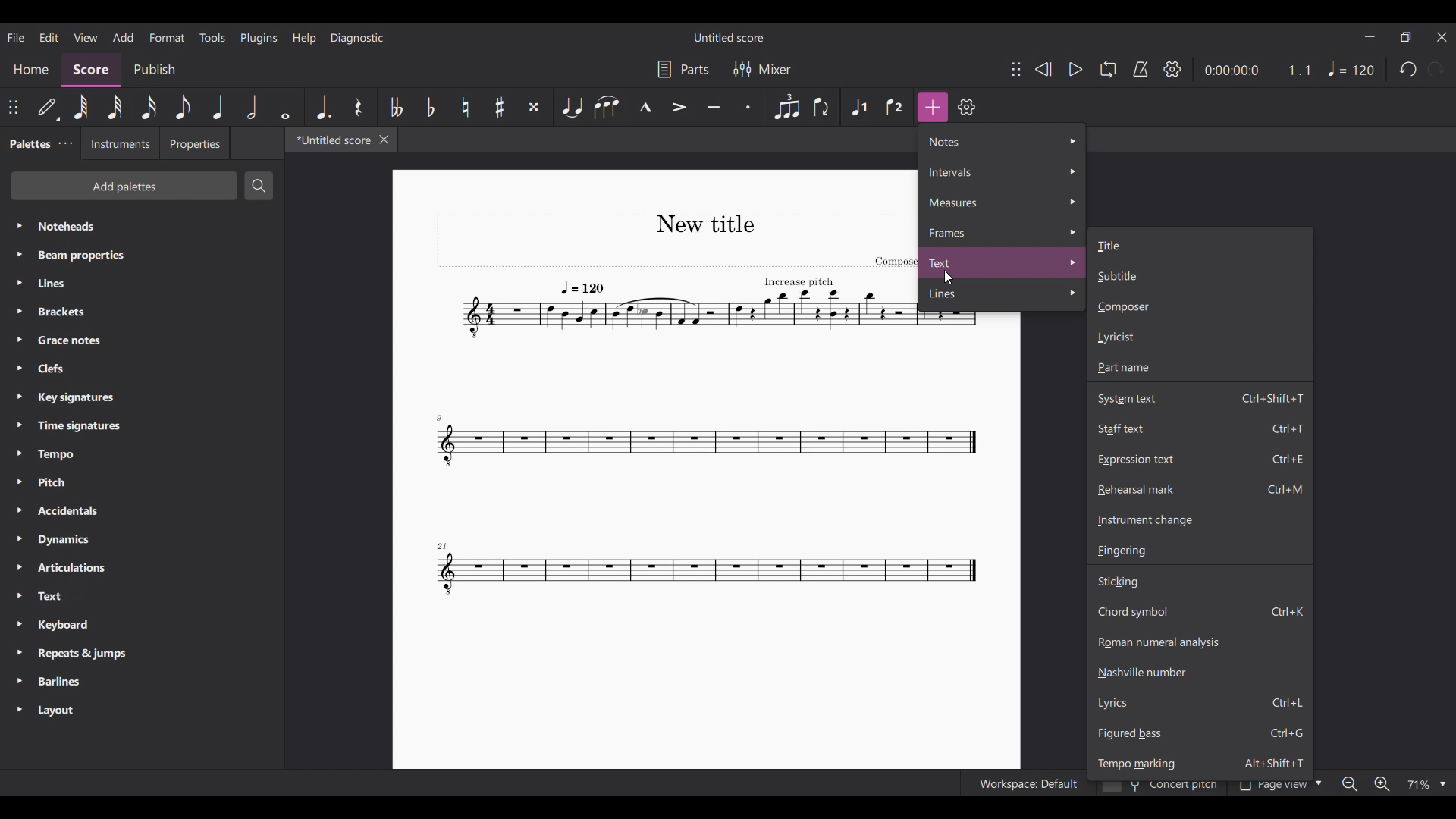 This screenshot has height=819, width=1456. I want to click on Noteheads, so click(143, 227).